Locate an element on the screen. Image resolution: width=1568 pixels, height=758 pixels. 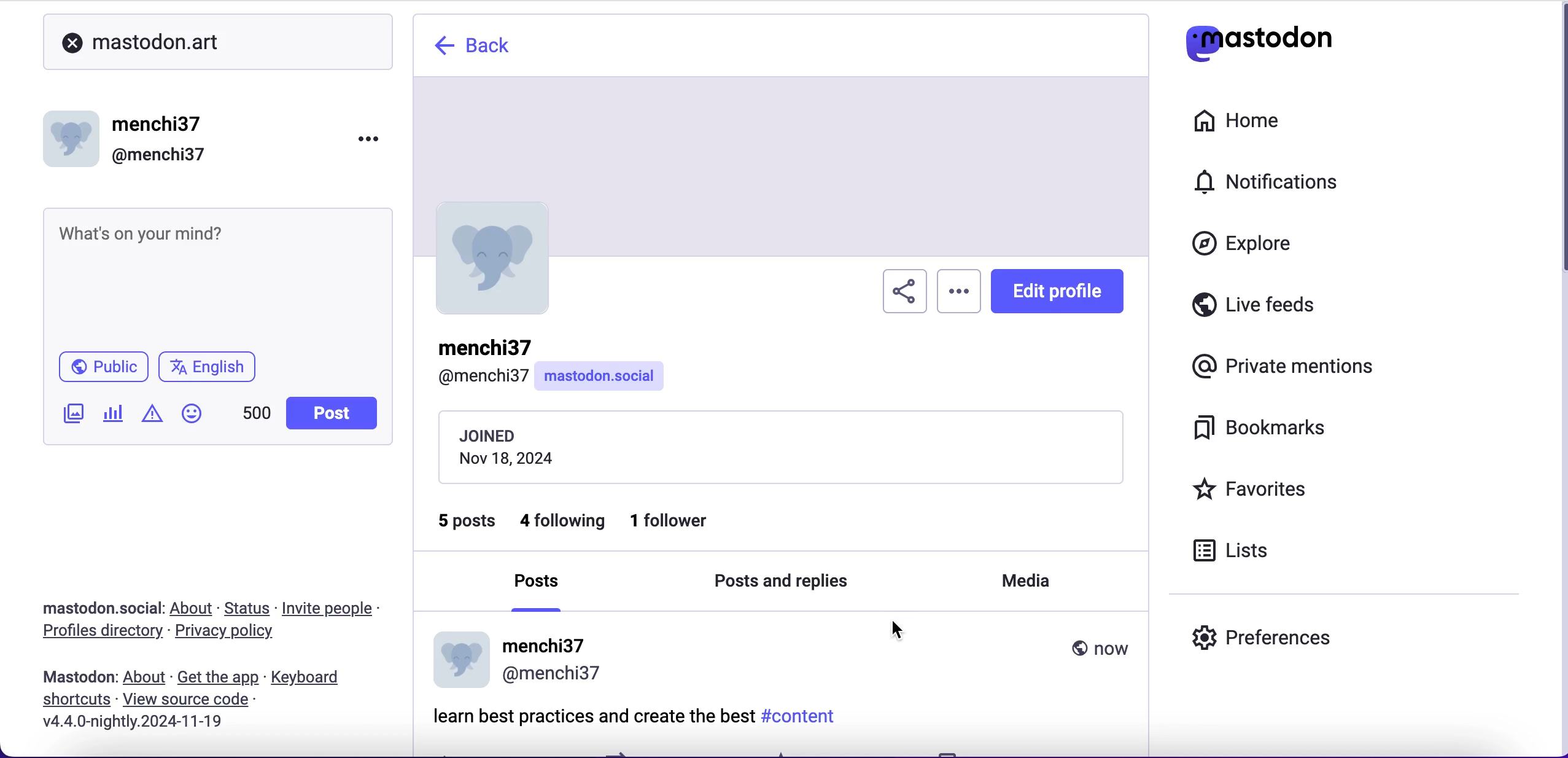
post is located at coordinates (330, 413).